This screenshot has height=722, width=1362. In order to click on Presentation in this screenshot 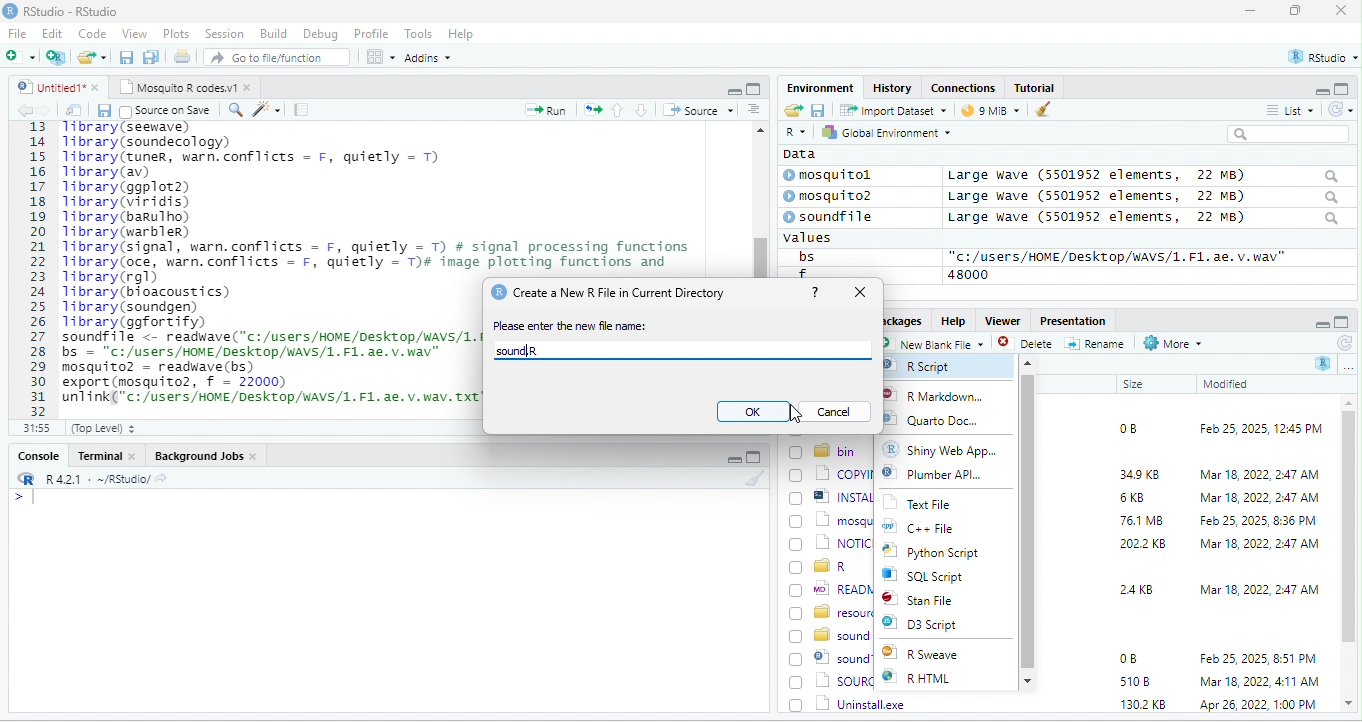, I will do `click(1071, 320)`.